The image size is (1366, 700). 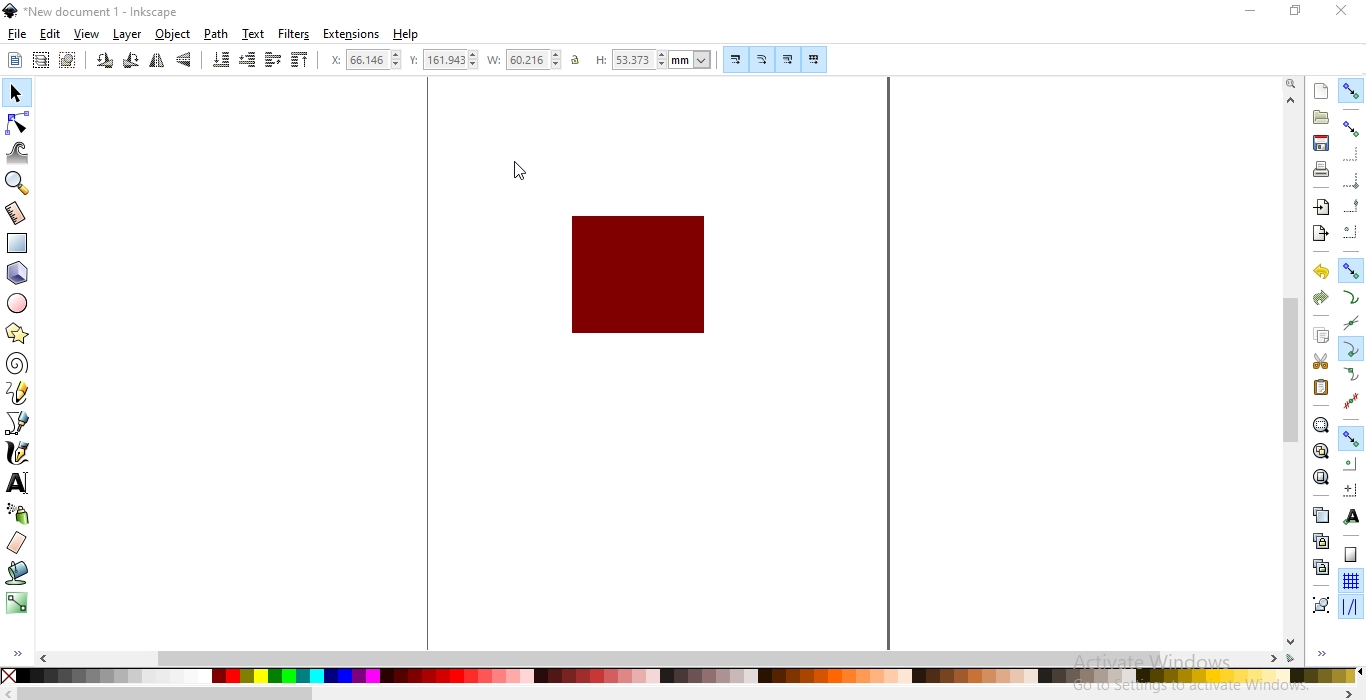 I want to click on 66.146, so click(x=375, y=59).